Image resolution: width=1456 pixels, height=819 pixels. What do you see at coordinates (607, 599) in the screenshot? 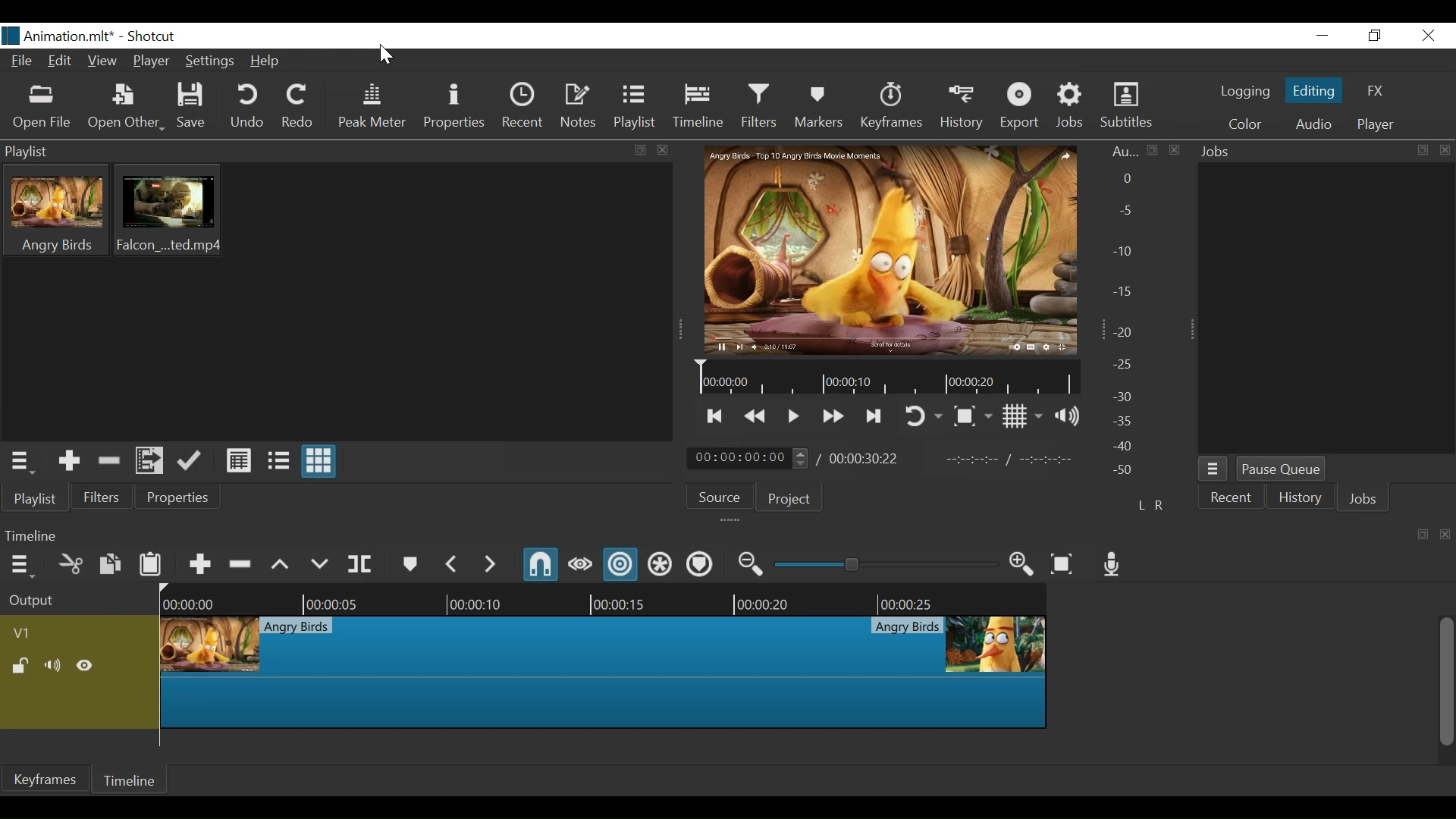
I see `Timeline` at bounding box center [607, 599].